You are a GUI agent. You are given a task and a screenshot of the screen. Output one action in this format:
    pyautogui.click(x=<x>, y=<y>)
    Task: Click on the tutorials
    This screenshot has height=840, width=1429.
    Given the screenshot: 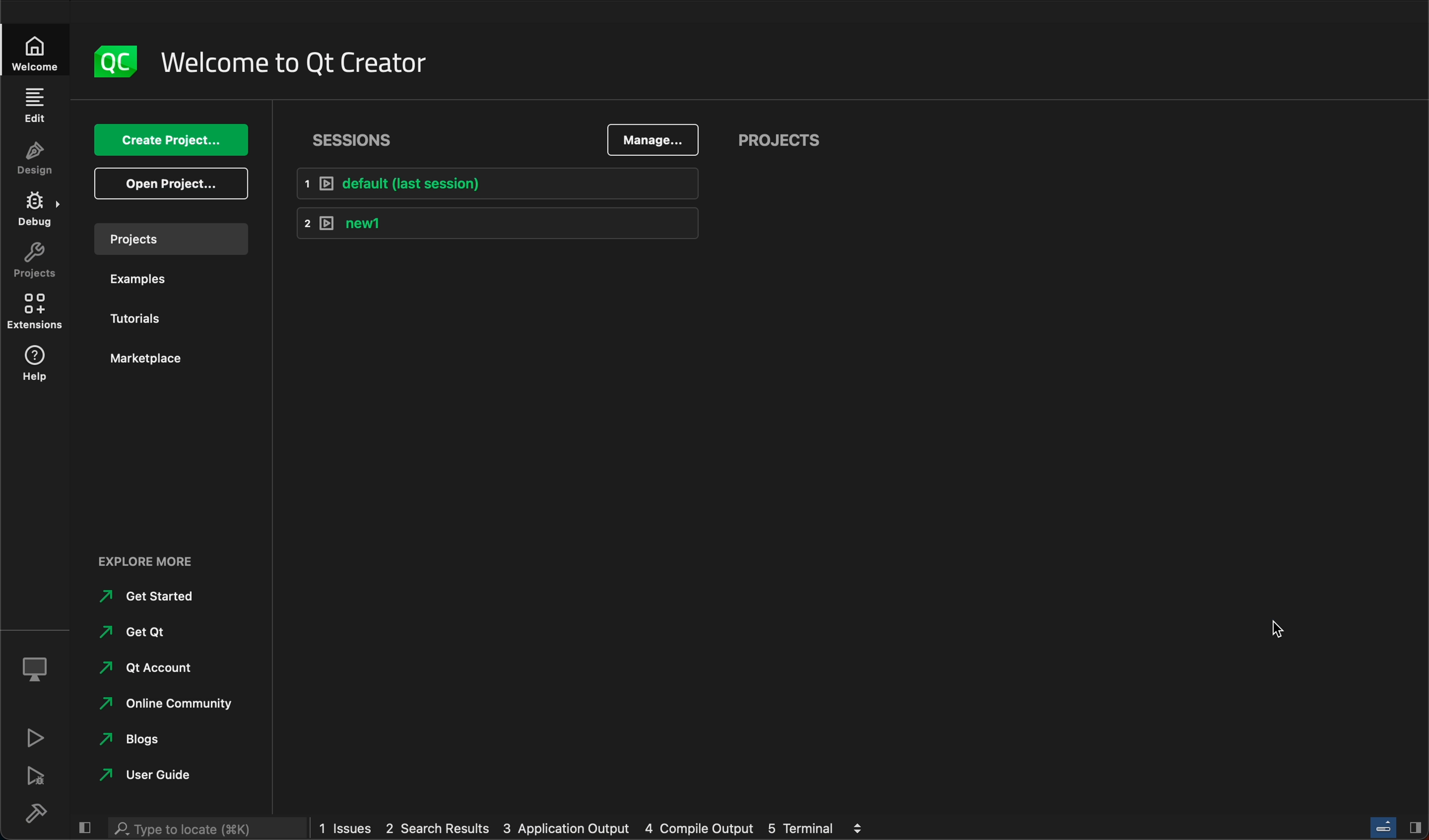 What is the action you would take?
    pyautogui.click(x=152, y=317)
    